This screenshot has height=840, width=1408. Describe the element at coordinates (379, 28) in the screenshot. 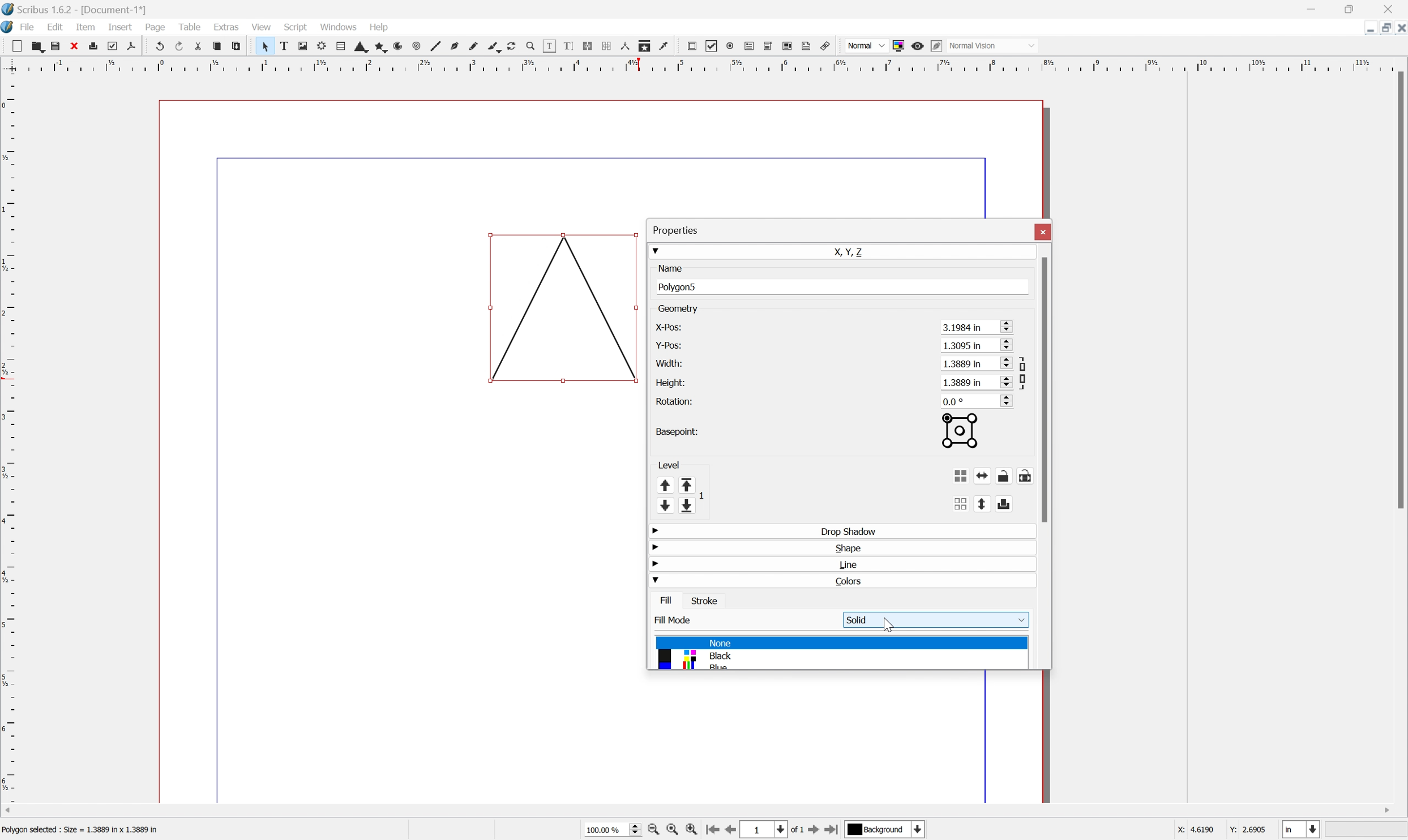

I see `Help` at that location.